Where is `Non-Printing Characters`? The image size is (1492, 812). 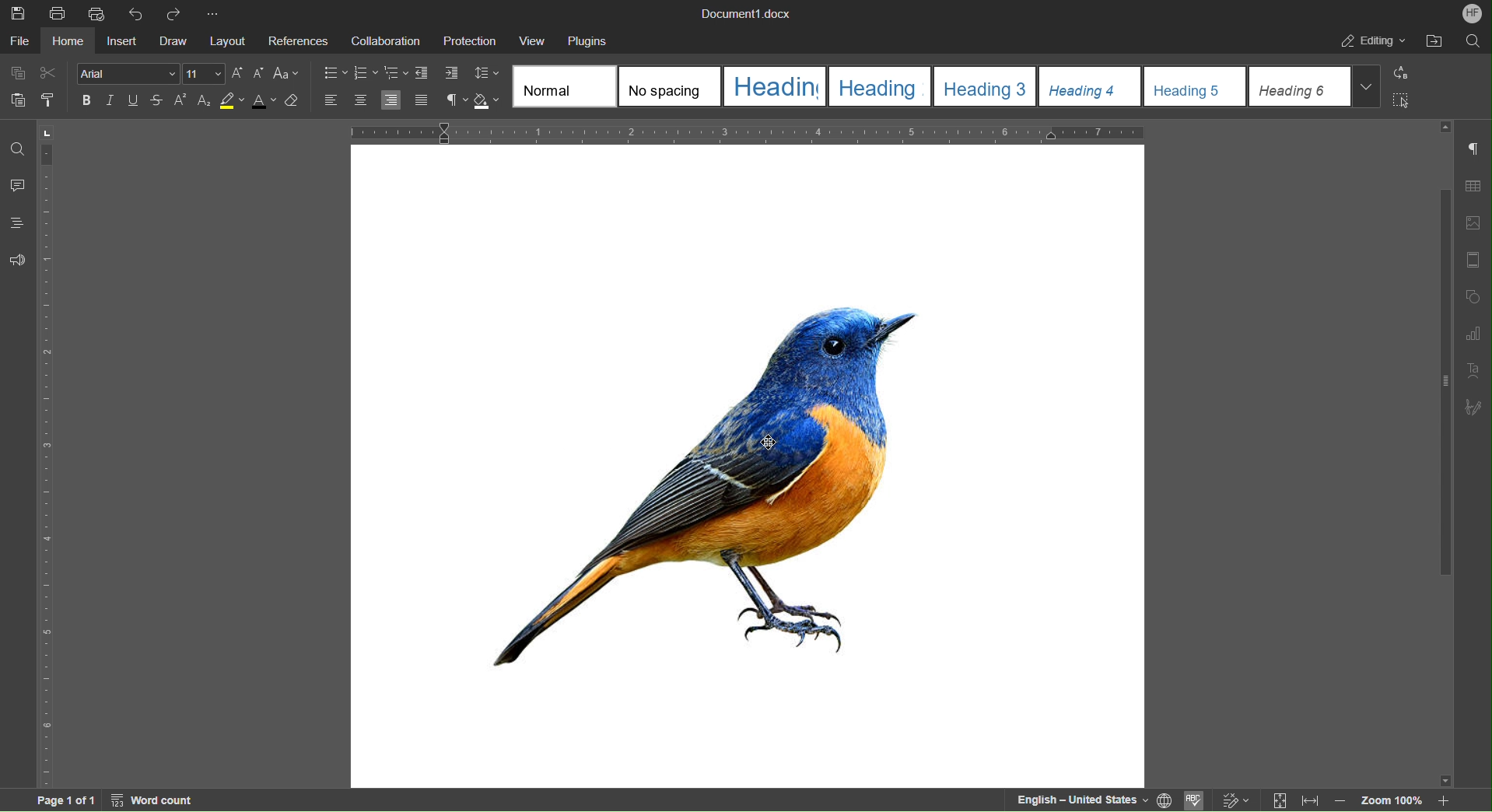
Non-Printing Characters is located at coordinates (454, 101).